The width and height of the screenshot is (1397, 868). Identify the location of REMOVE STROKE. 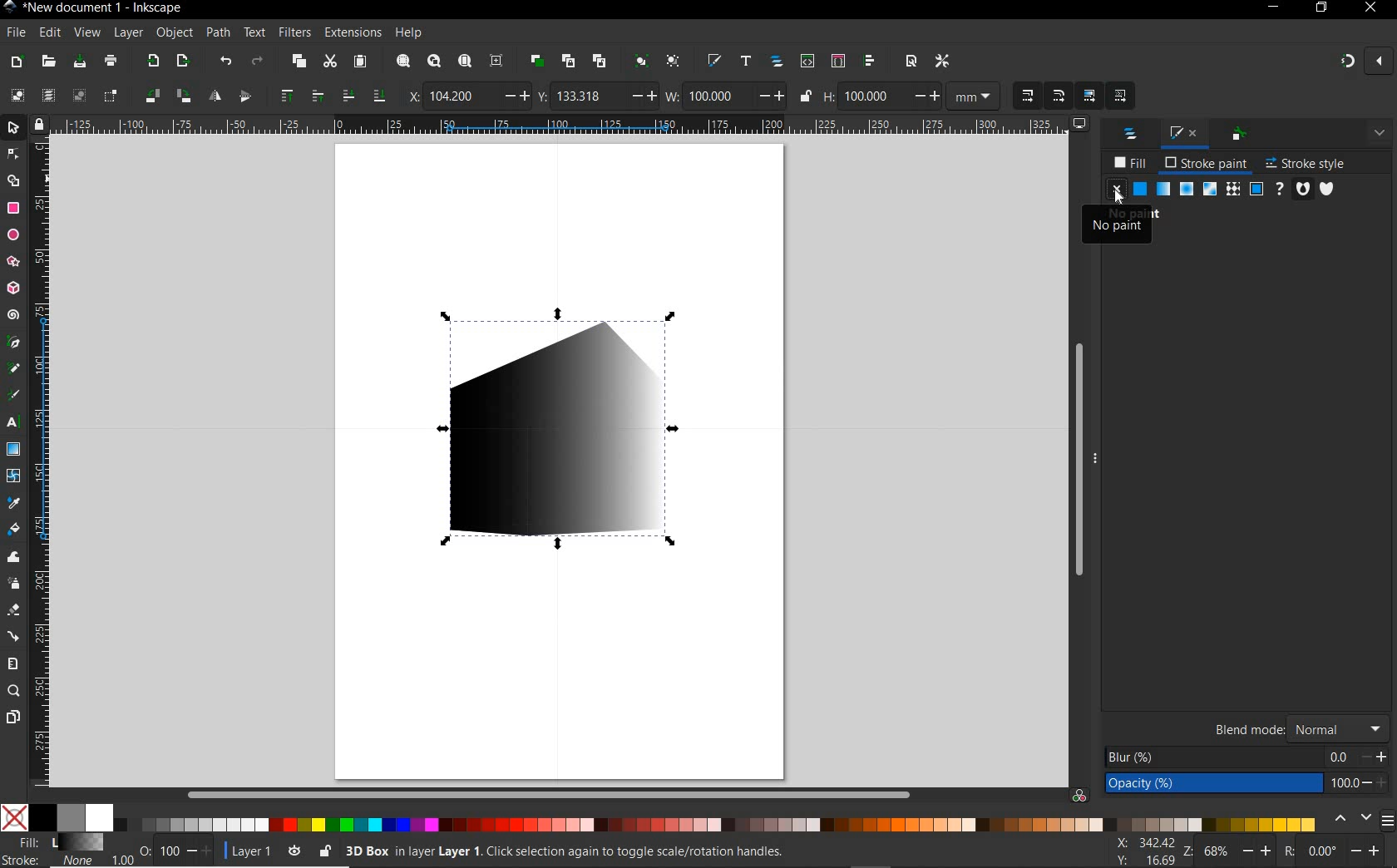
(1116, 191).